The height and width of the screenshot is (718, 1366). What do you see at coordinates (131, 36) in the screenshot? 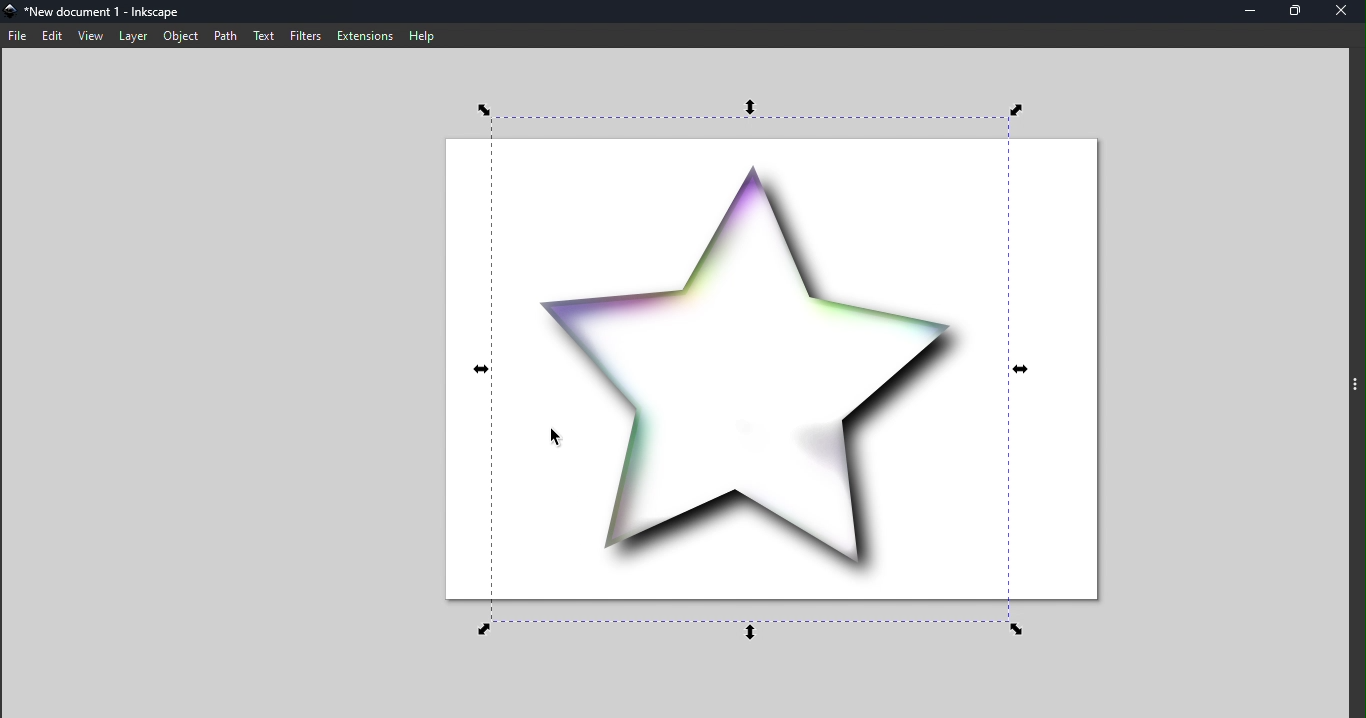
I see `Layer` at bounding box center [131, 36].